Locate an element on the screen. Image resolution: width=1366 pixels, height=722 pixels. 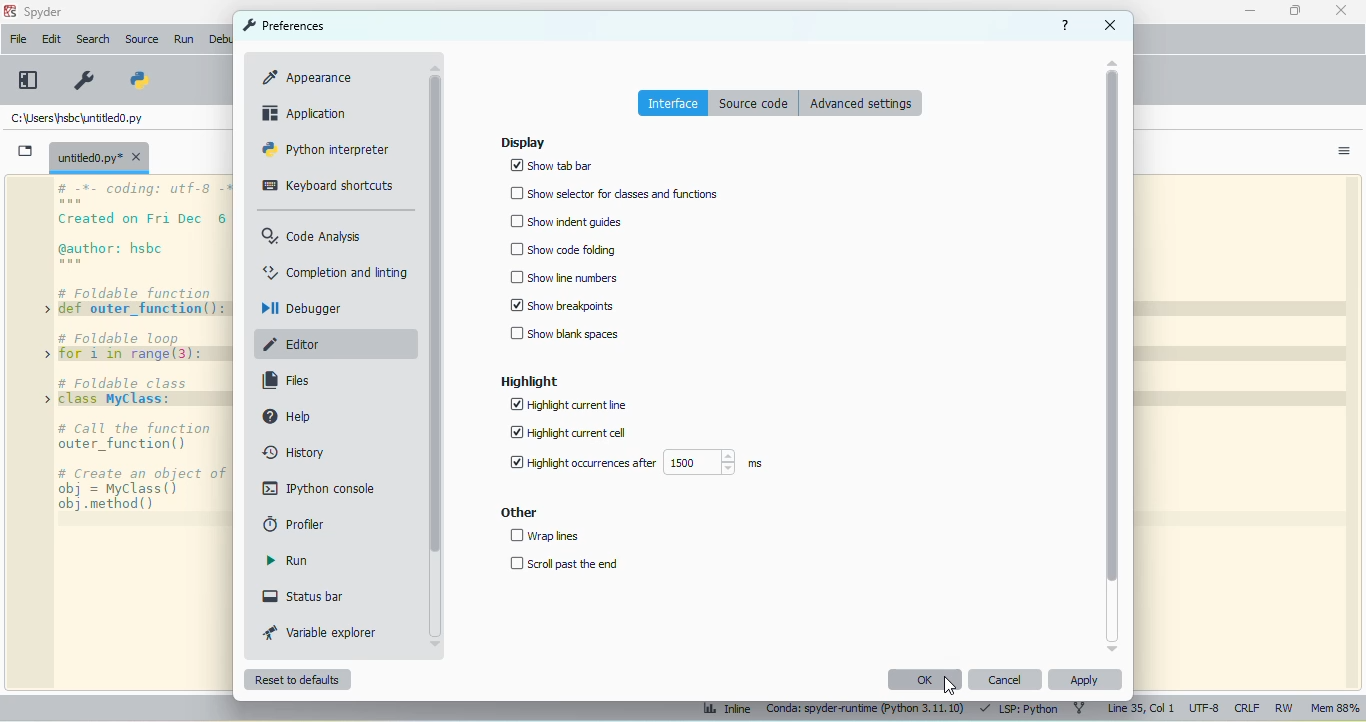
PYTHONPATH manager is located at coordinates (137, 80).